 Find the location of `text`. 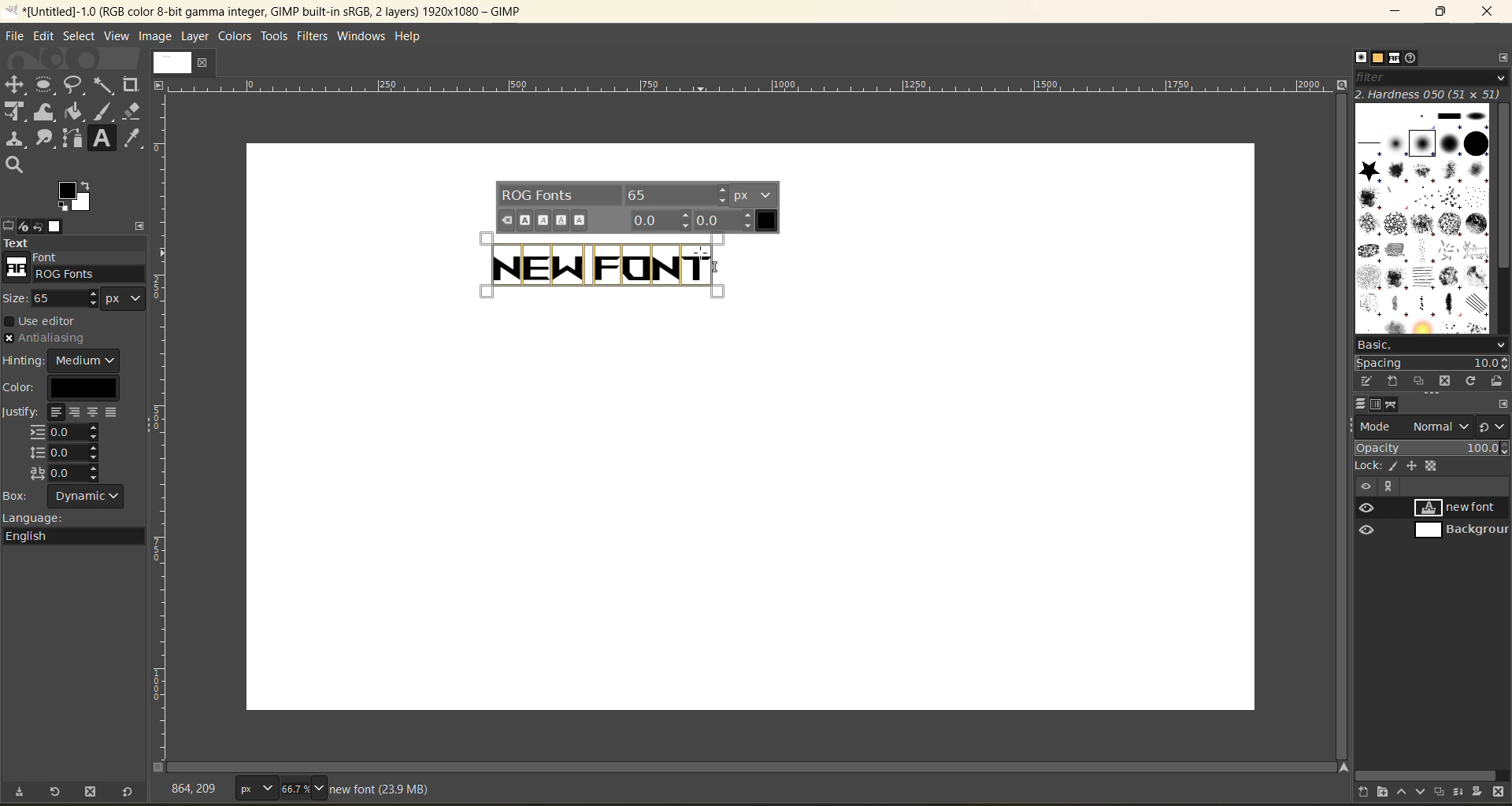

text is located at coordinates (73, 243).